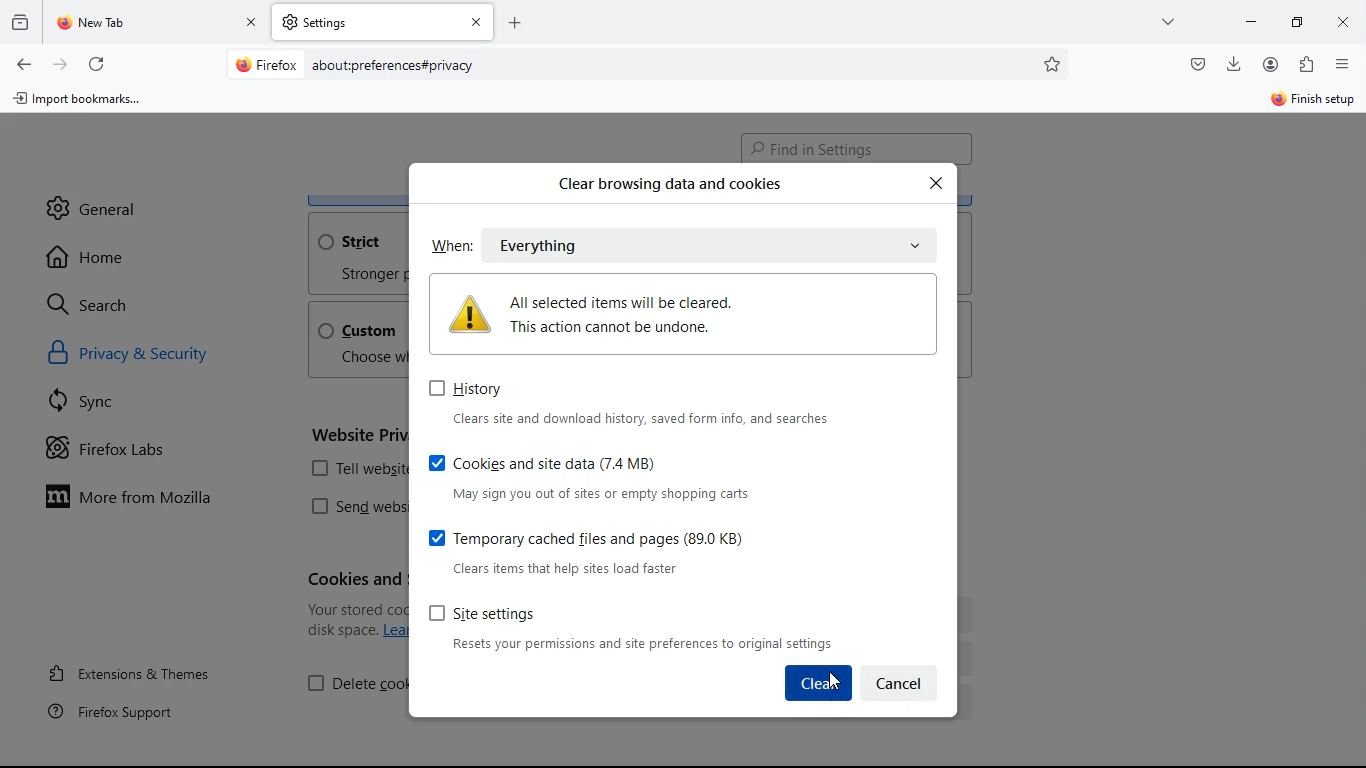  I want to click on minimize, so click(1251, 20).